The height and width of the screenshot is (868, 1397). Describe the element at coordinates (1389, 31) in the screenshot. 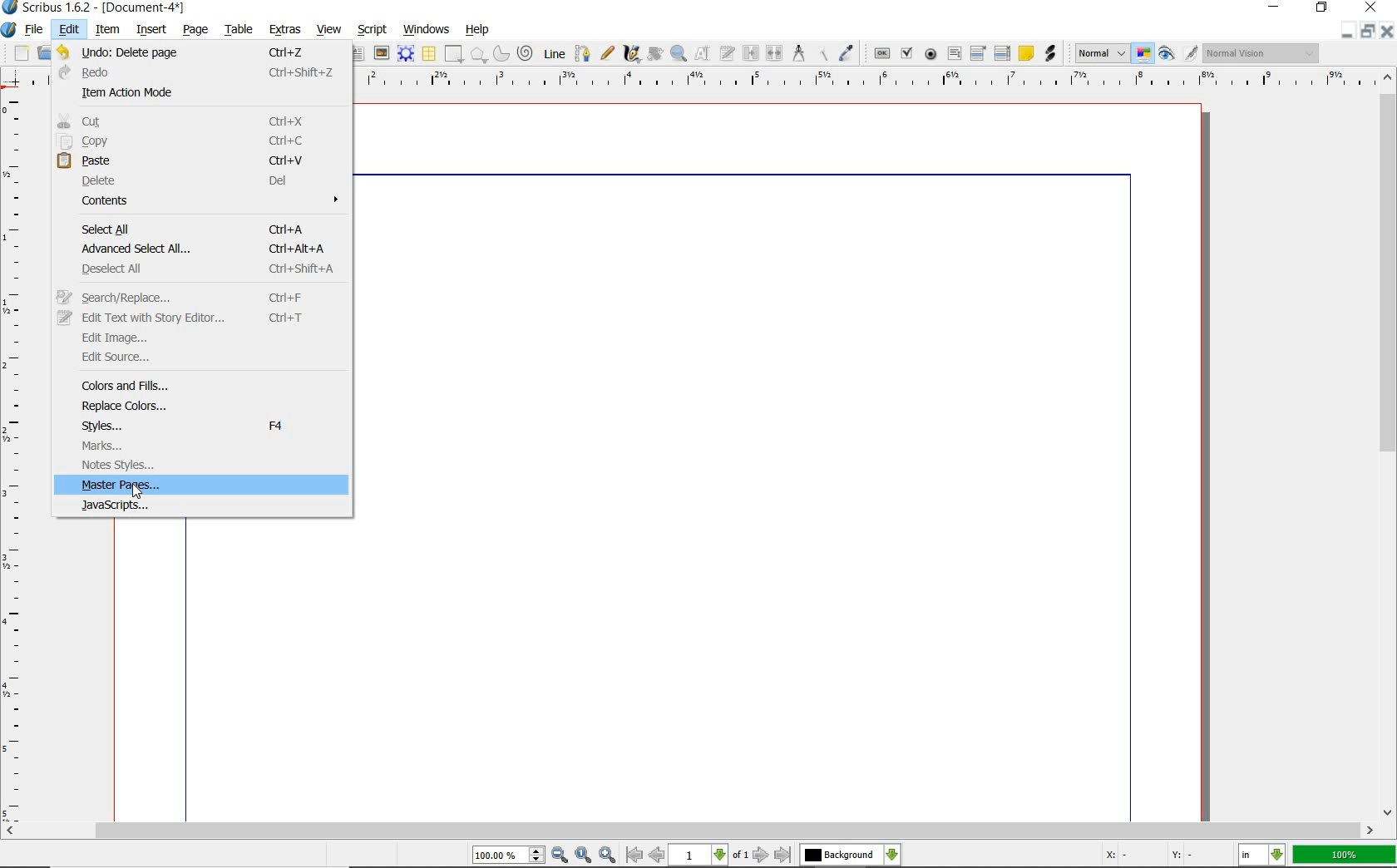

I see `close` at that location.